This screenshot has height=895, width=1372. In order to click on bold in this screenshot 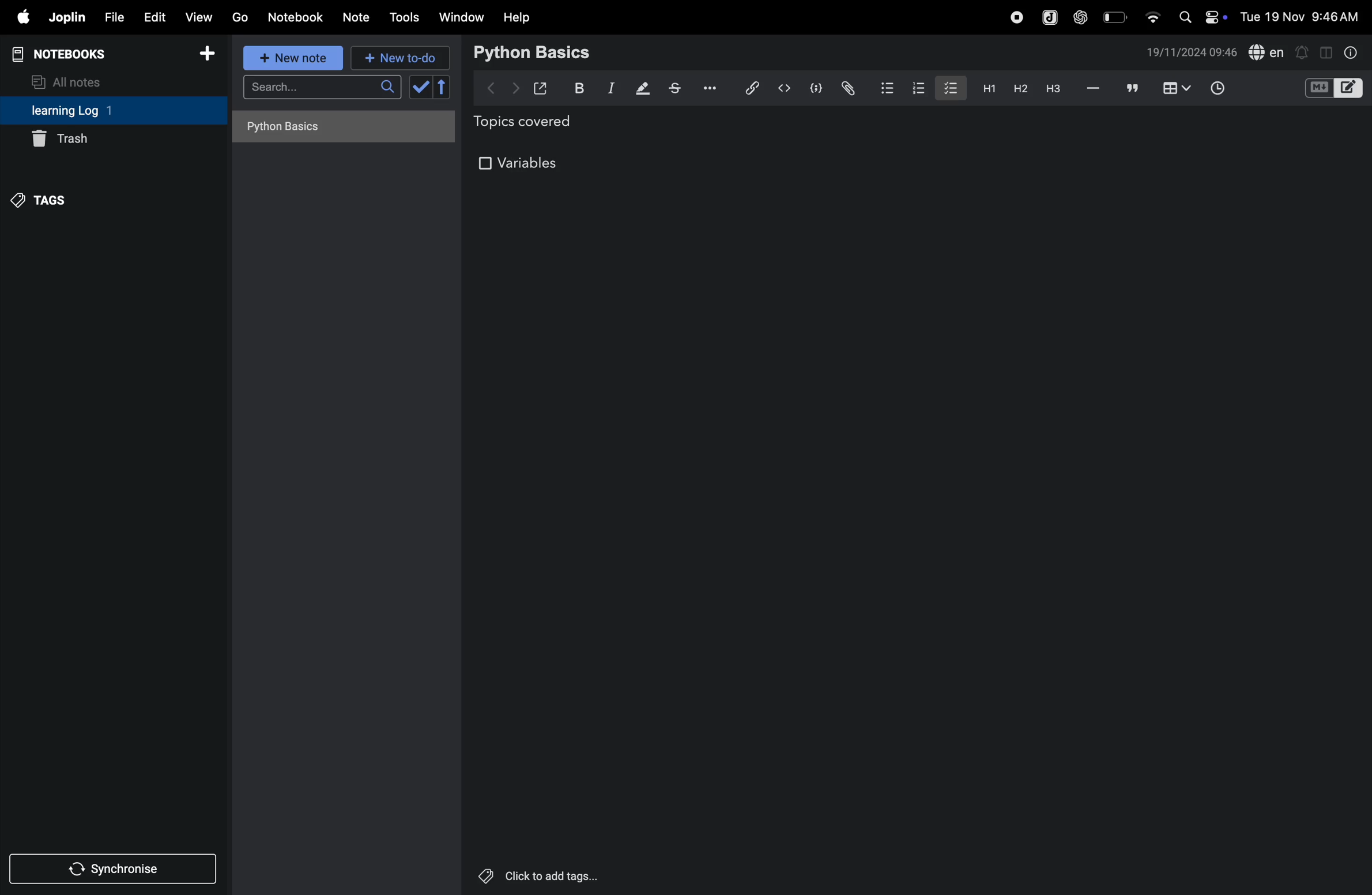, I will do `click(576, 88)`.